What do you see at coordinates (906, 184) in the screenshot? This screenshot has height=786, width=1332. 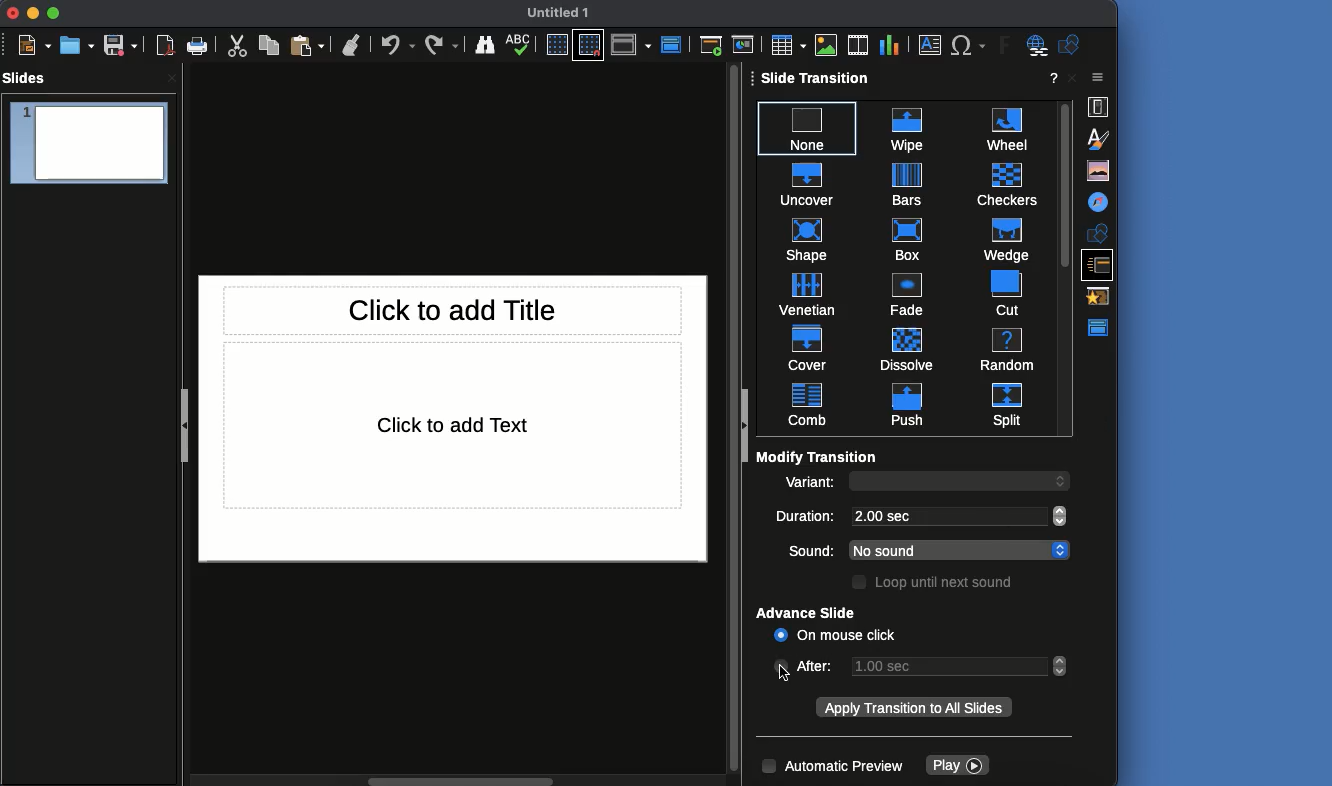 I see `bars` at bounding box center [906, 184].